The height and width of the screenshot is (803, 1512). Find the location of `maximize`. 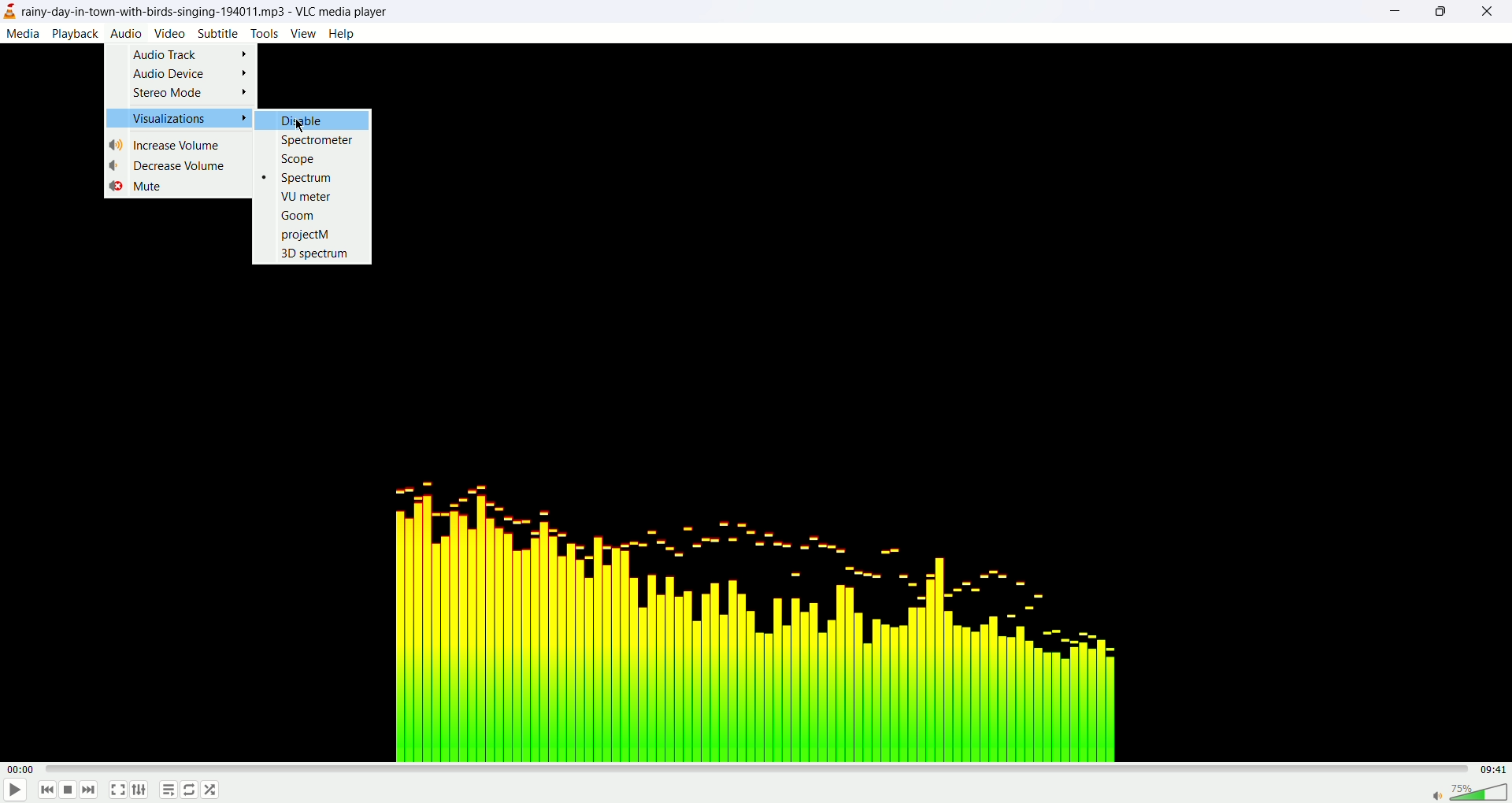

maximize is located at coordinates (1440, 12).